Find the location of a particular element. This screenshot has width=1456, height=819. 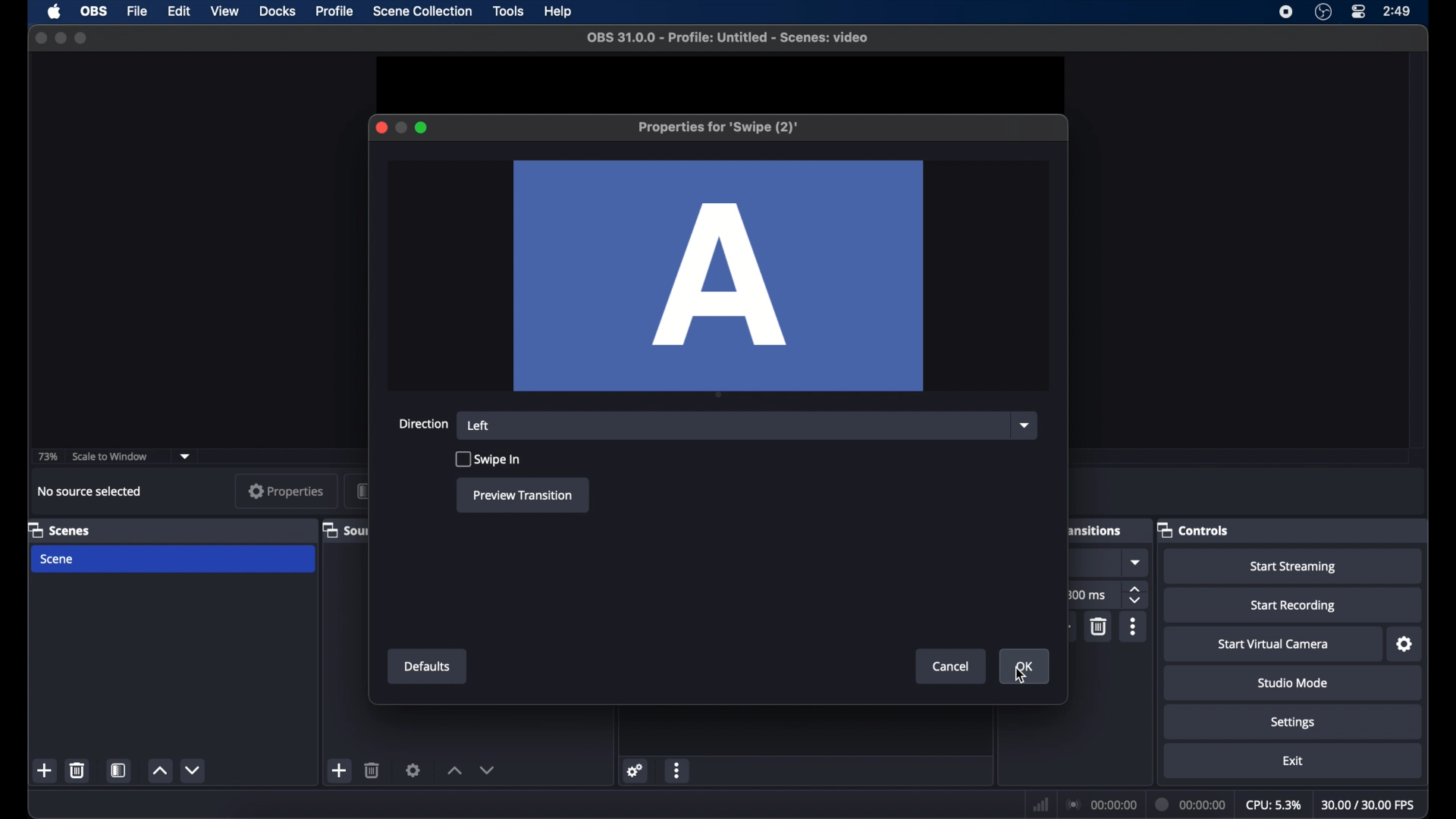

file name is located at coordinates (727, 37).